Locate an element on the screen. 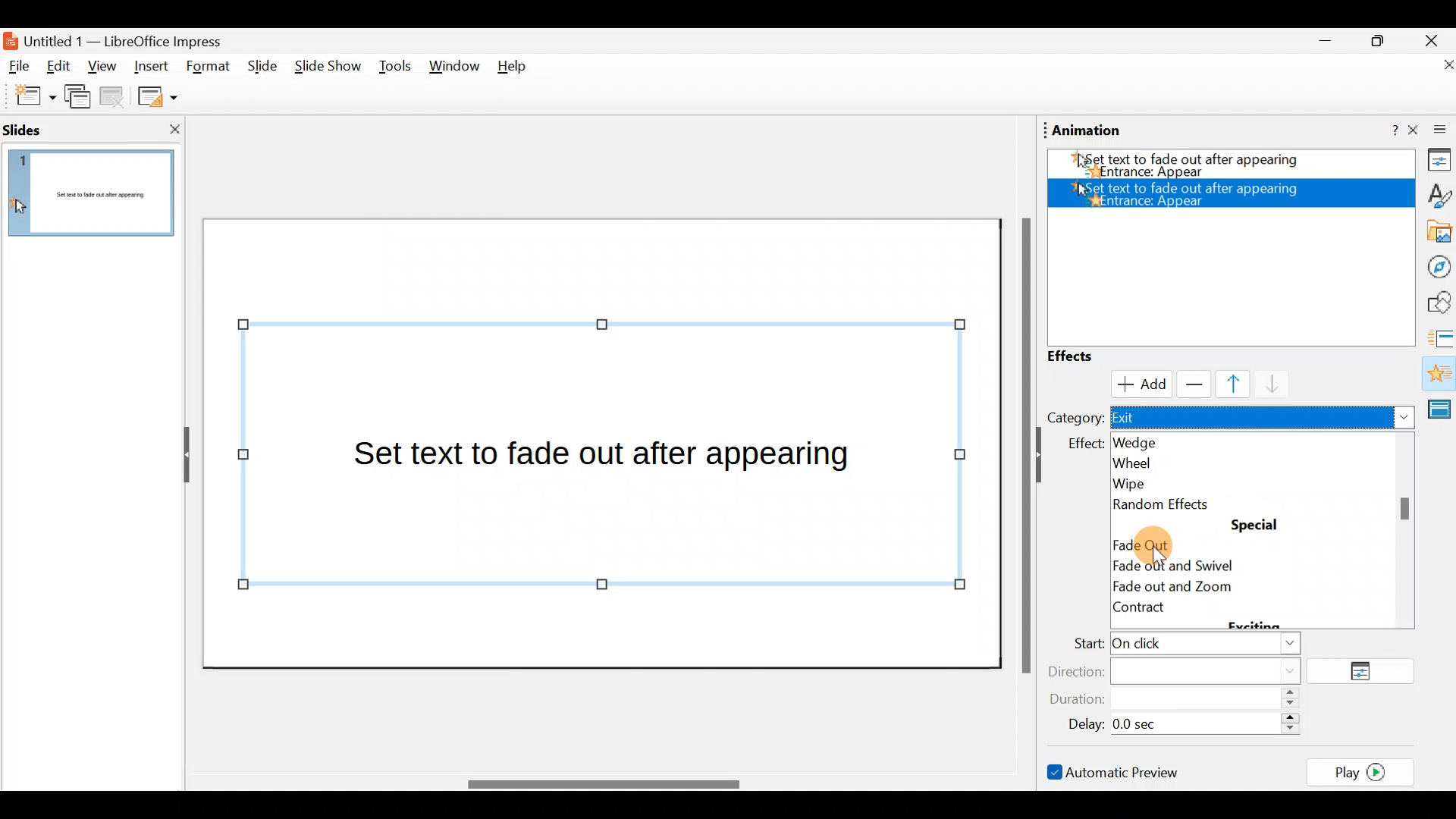 Image resolution: width=1456 pixels, height=819 pixels. Duration is located at coordinates (1179, 700).